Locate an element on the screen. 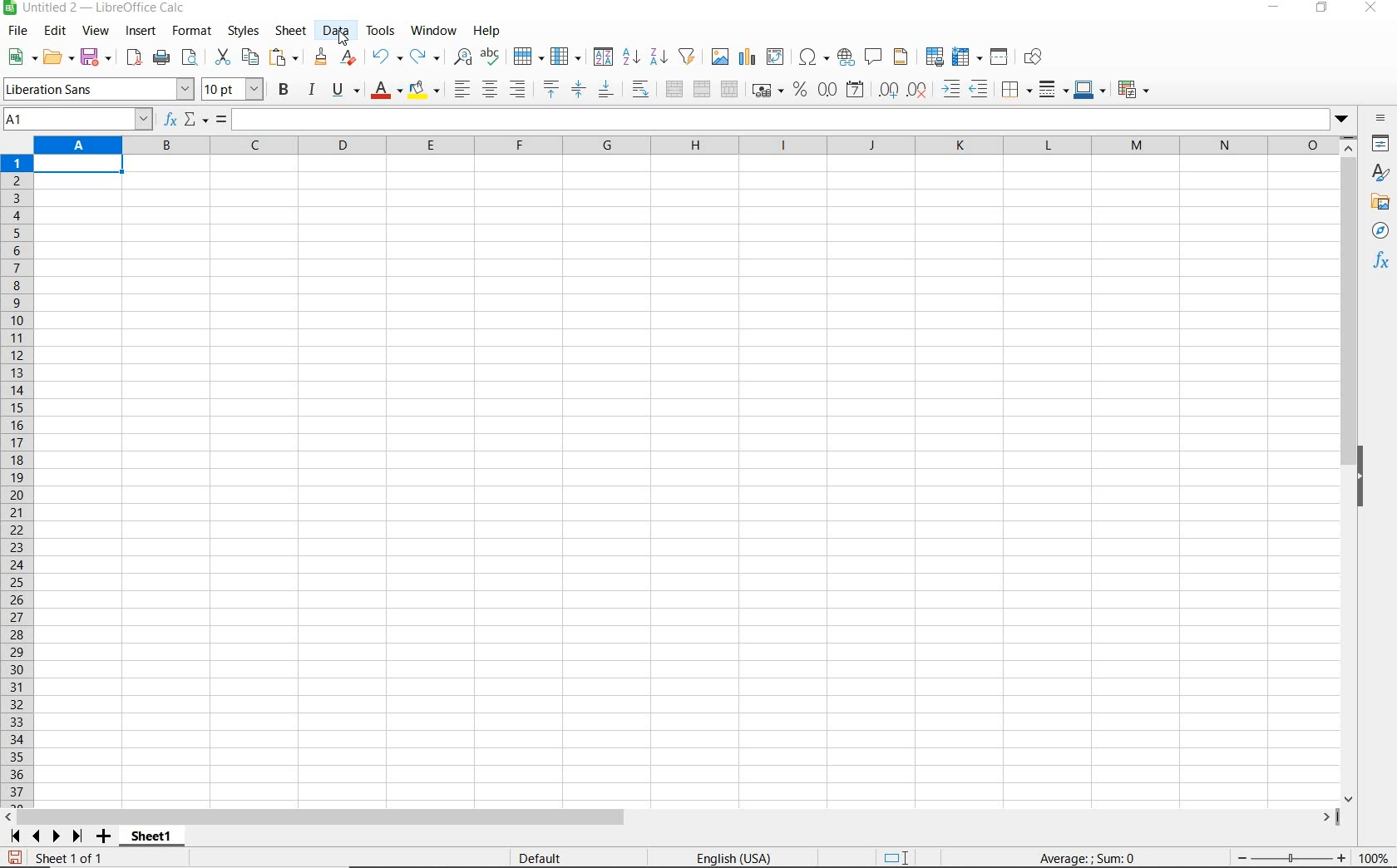 This screenshot has width=1397, height=868. export as pdf is located at coordinates (133, 57).